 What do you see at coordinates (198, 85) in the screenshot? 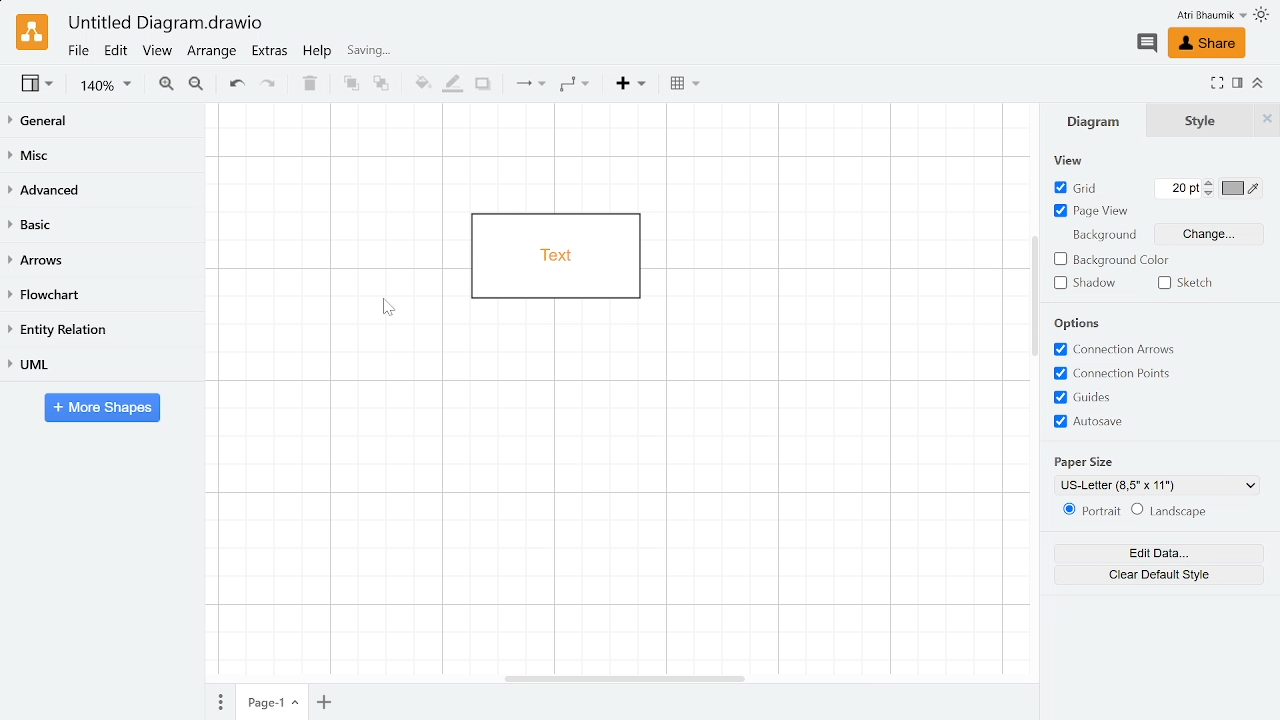
I see `Zoom out` at bounding box center [198, 85].